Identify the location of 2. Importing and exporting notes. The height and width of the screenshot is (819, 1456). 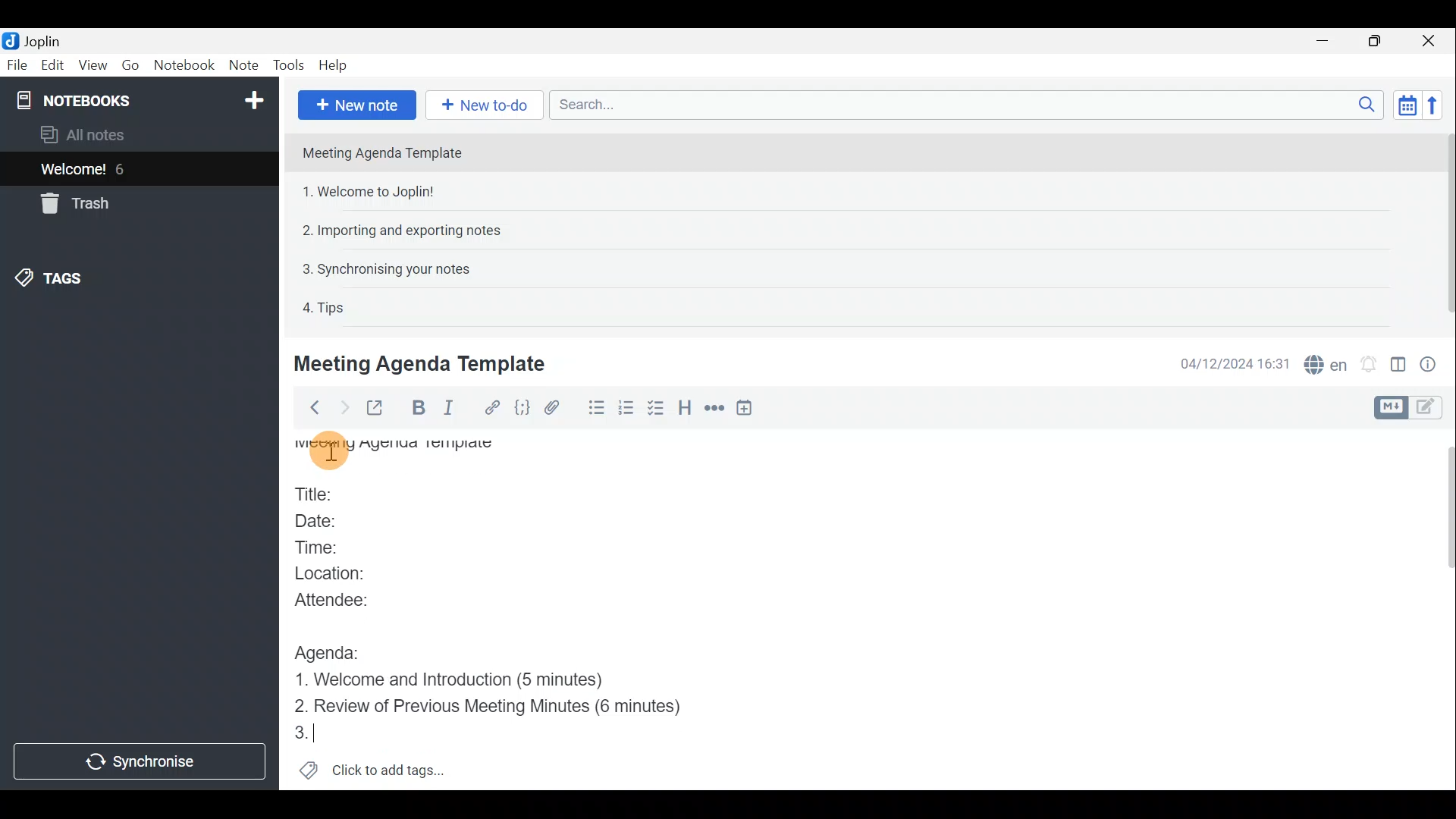
(407, 231).